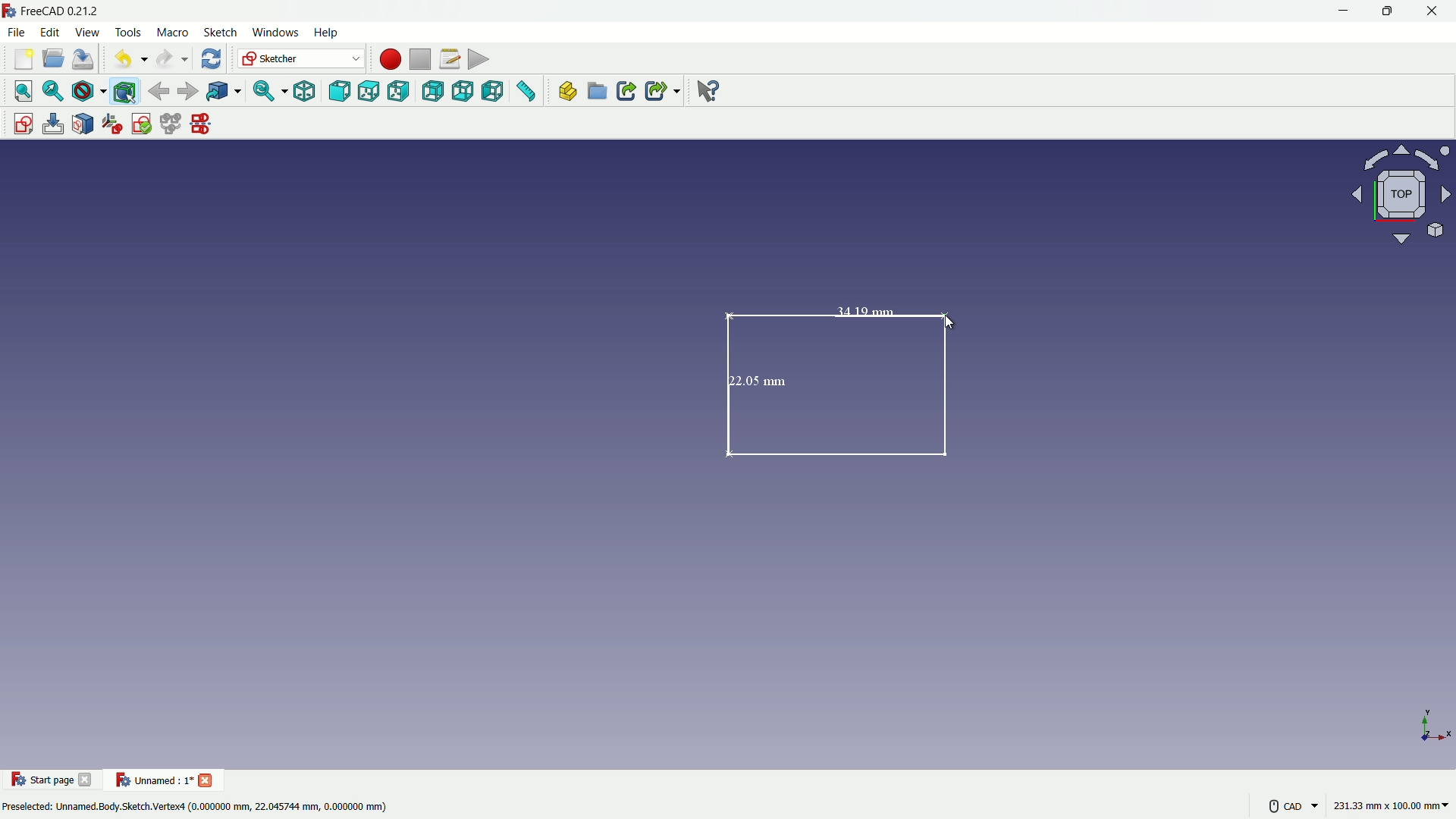 The height and width of the screenshot is (819, 1456). What do you see at coordinates (50, 32) in the screenshot?
I see `edit menu` at bounding box center [50, 32].